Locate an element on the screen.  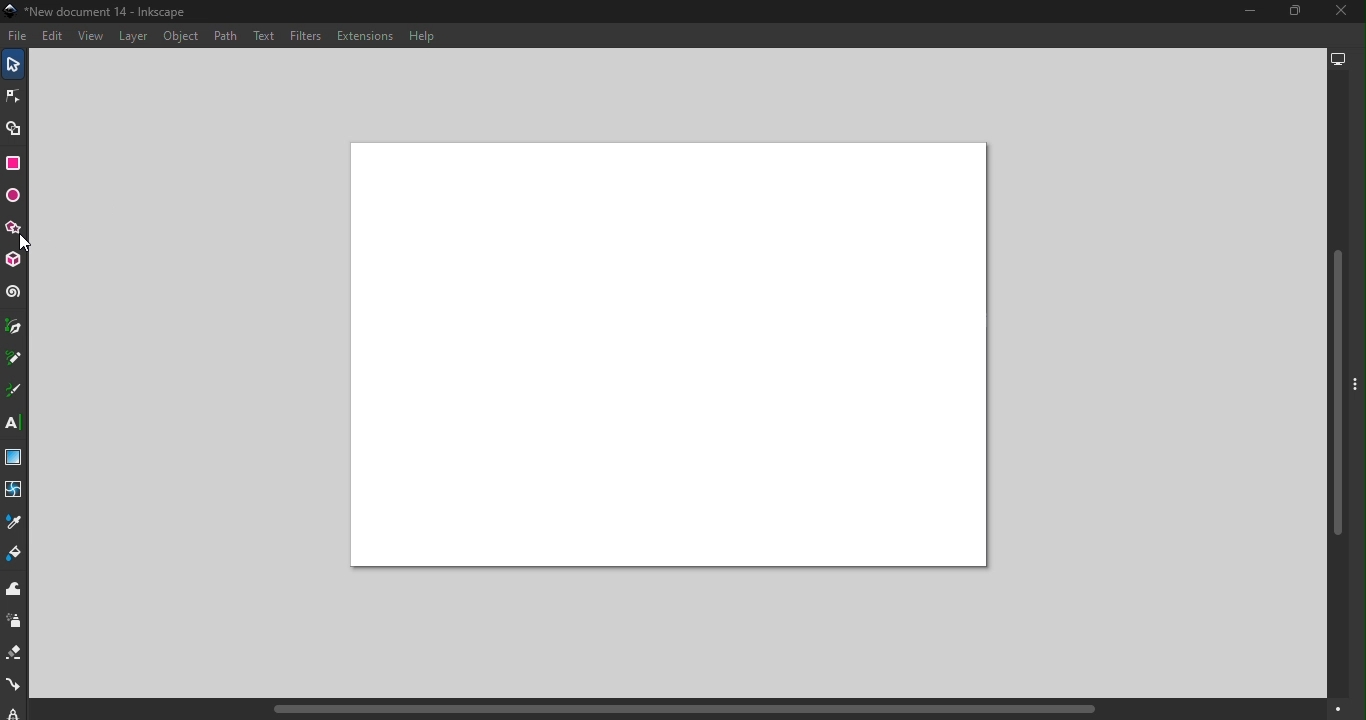
Dropper tool is located at coordinates (12, 526).